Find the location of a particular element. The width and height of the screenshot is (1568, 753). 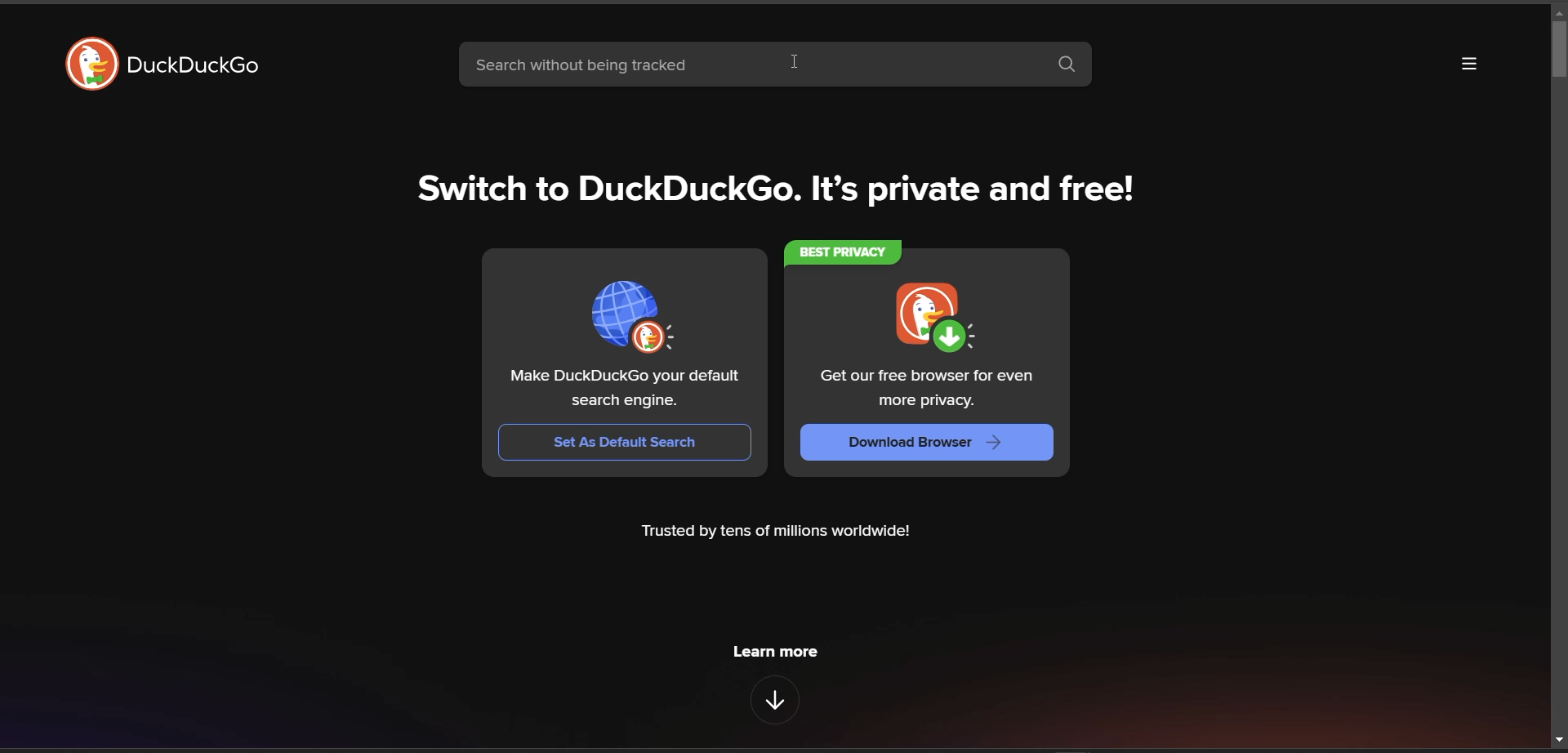

search box is located at coordinates (1067, 68).